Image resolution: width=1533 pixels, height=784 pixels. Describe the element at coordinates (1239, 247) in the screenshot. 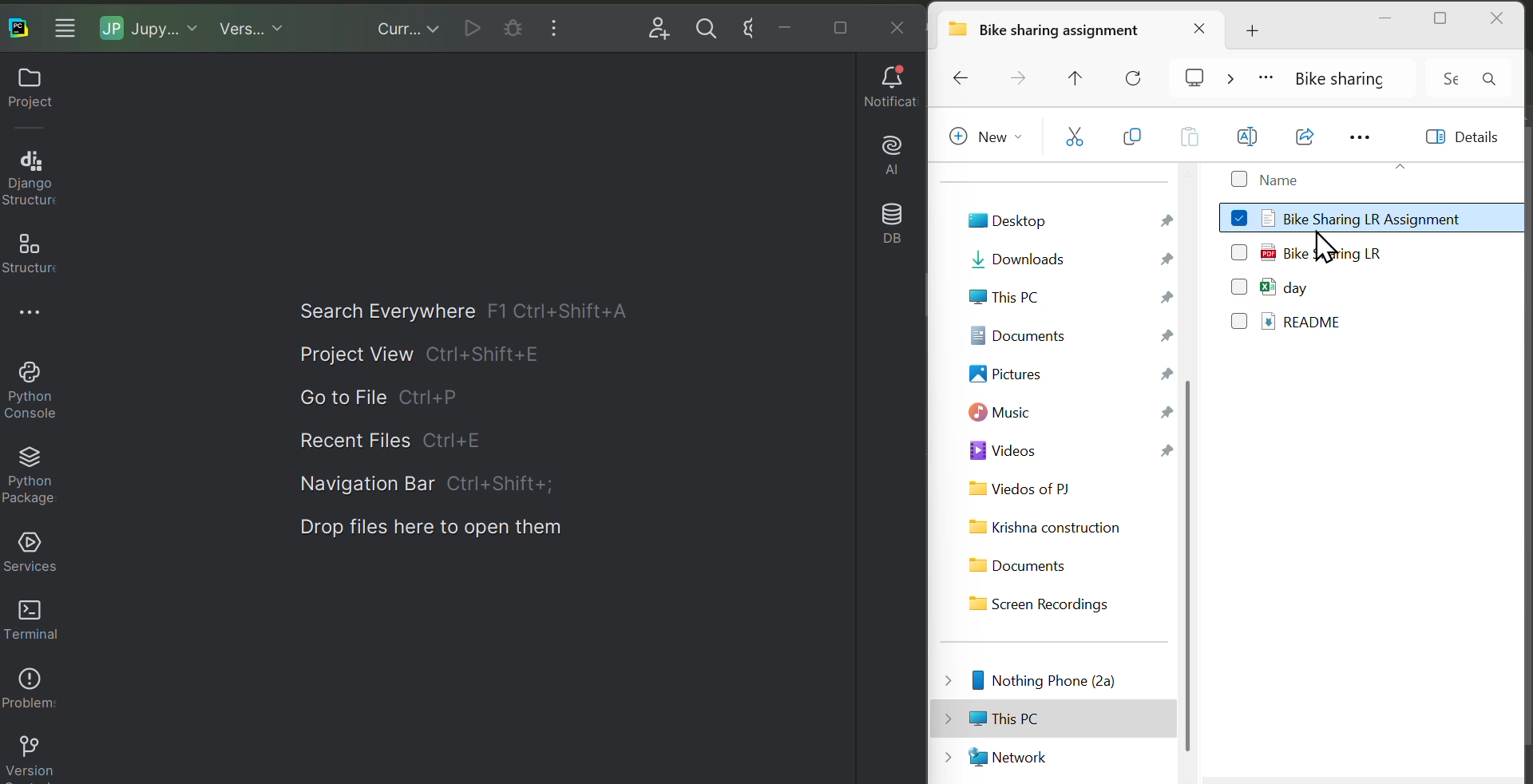

I see `checkbox` at that location.